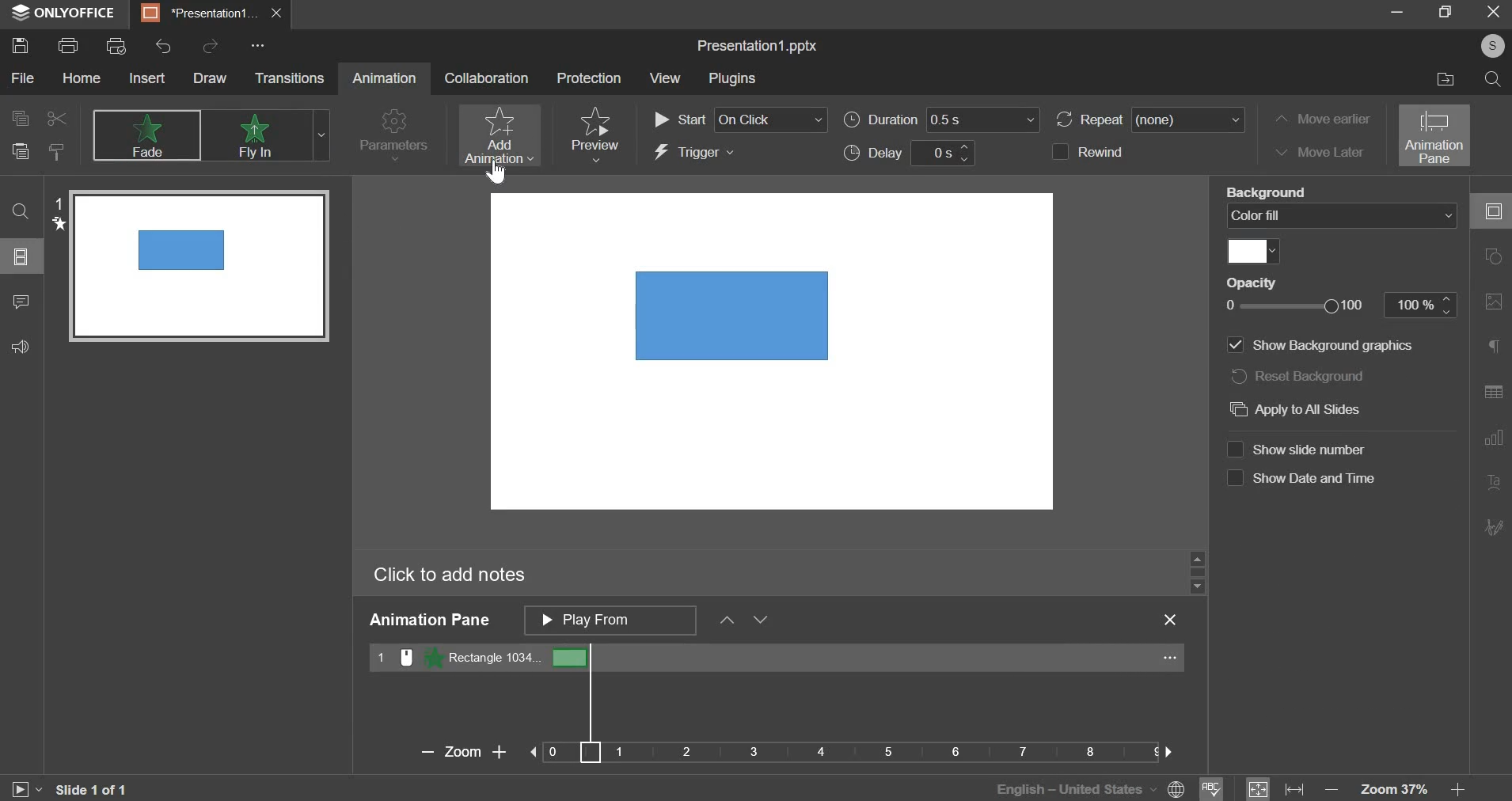 This screenshot has width=1512, height=801. I want to click on collaboration, so click(488, 78).